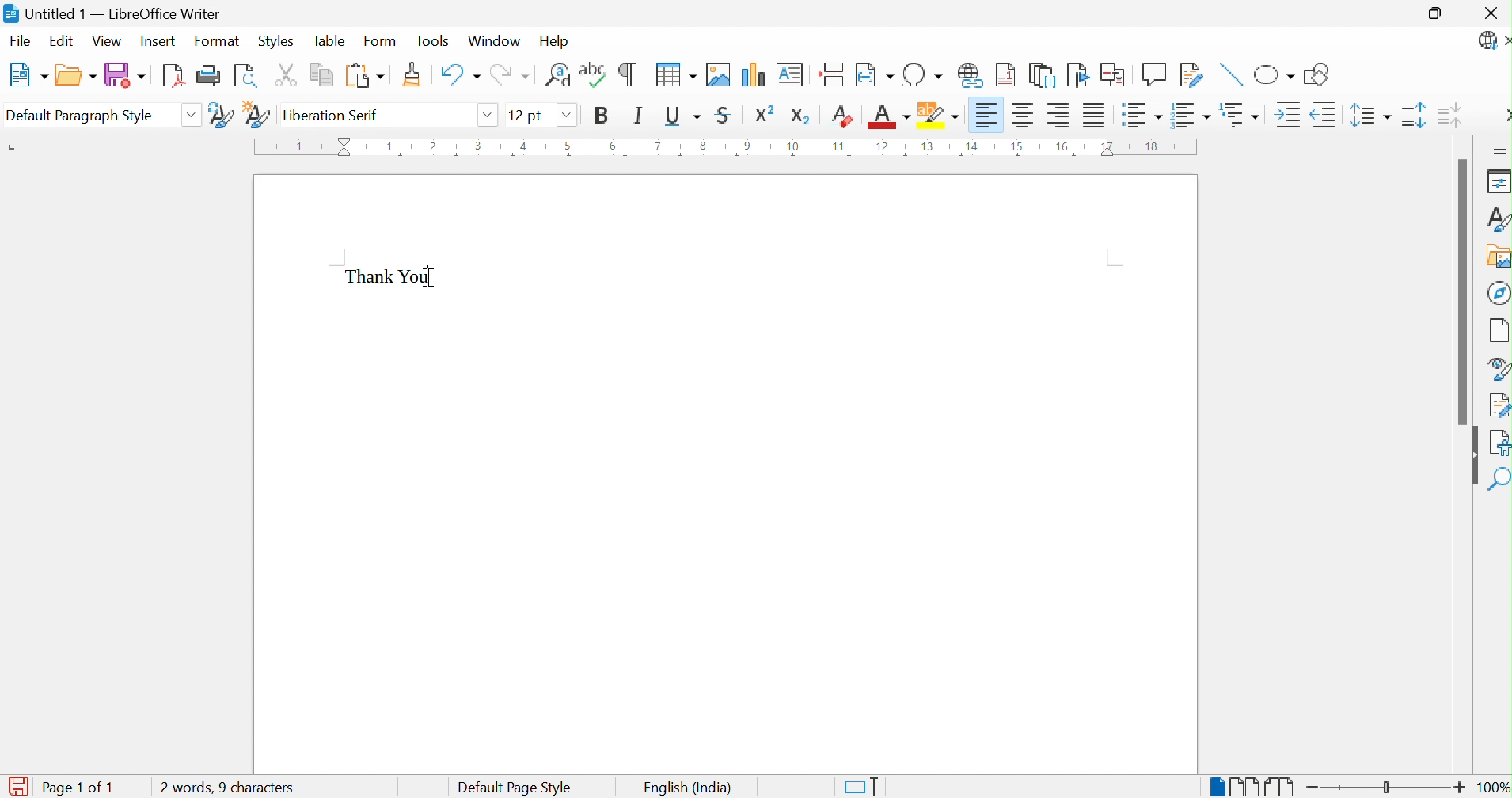  What do you see at coordinates (1370, 117) in the screenshot?
I see `Set Line Spacing` at bounding box center [1370, 117].